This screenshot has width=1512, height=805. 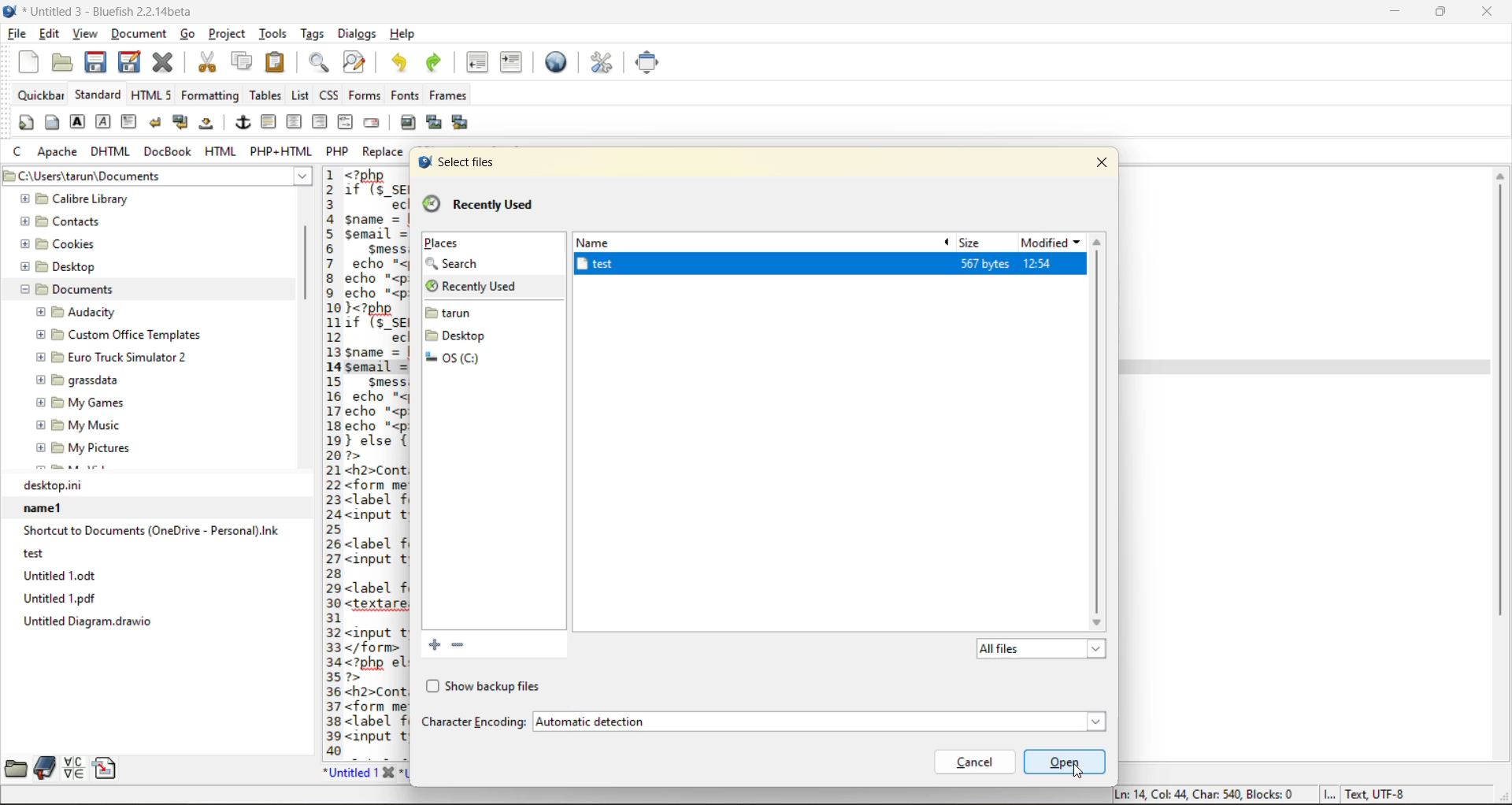 I want to click on frames, so click(x=454, y=95).